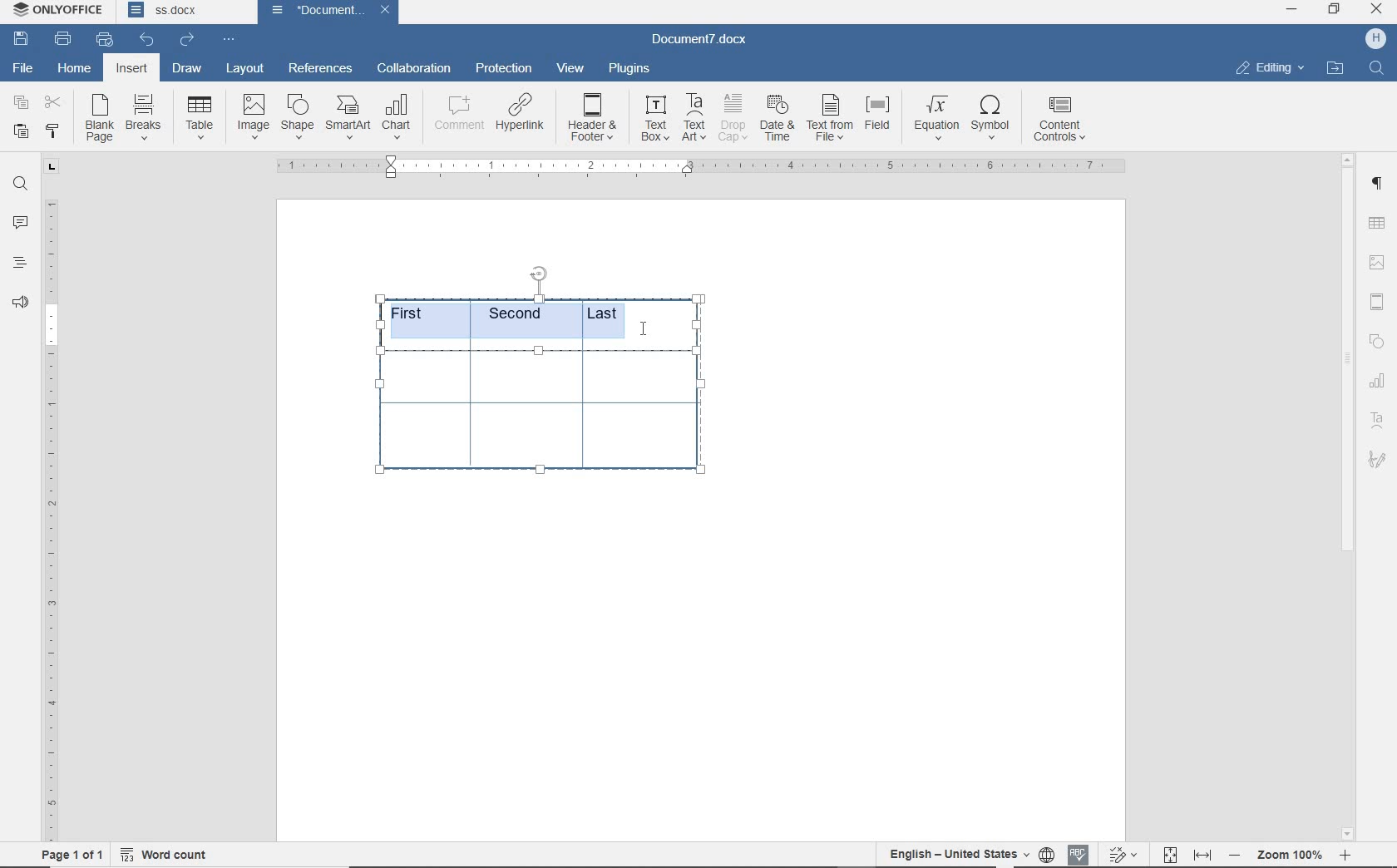  What do you see at coordinates (1380, 423) in the screenshot?
I see `text art` at bounding box center [1380, 423].